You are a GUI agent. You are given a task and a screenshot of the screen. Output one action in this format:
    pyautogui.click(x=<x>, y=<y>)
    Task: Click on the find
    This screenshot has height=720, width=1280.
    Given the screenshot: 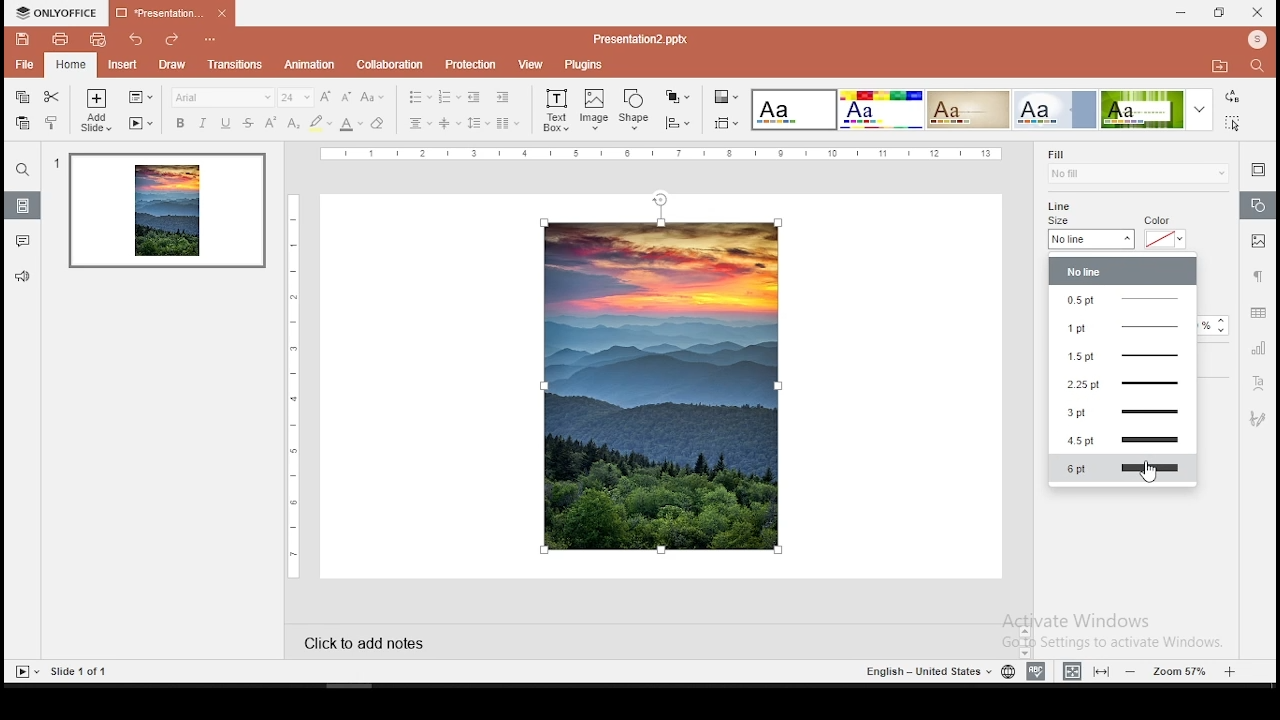 What is the action you would take?
    pyautogui.click(x=1258, y=66)
    